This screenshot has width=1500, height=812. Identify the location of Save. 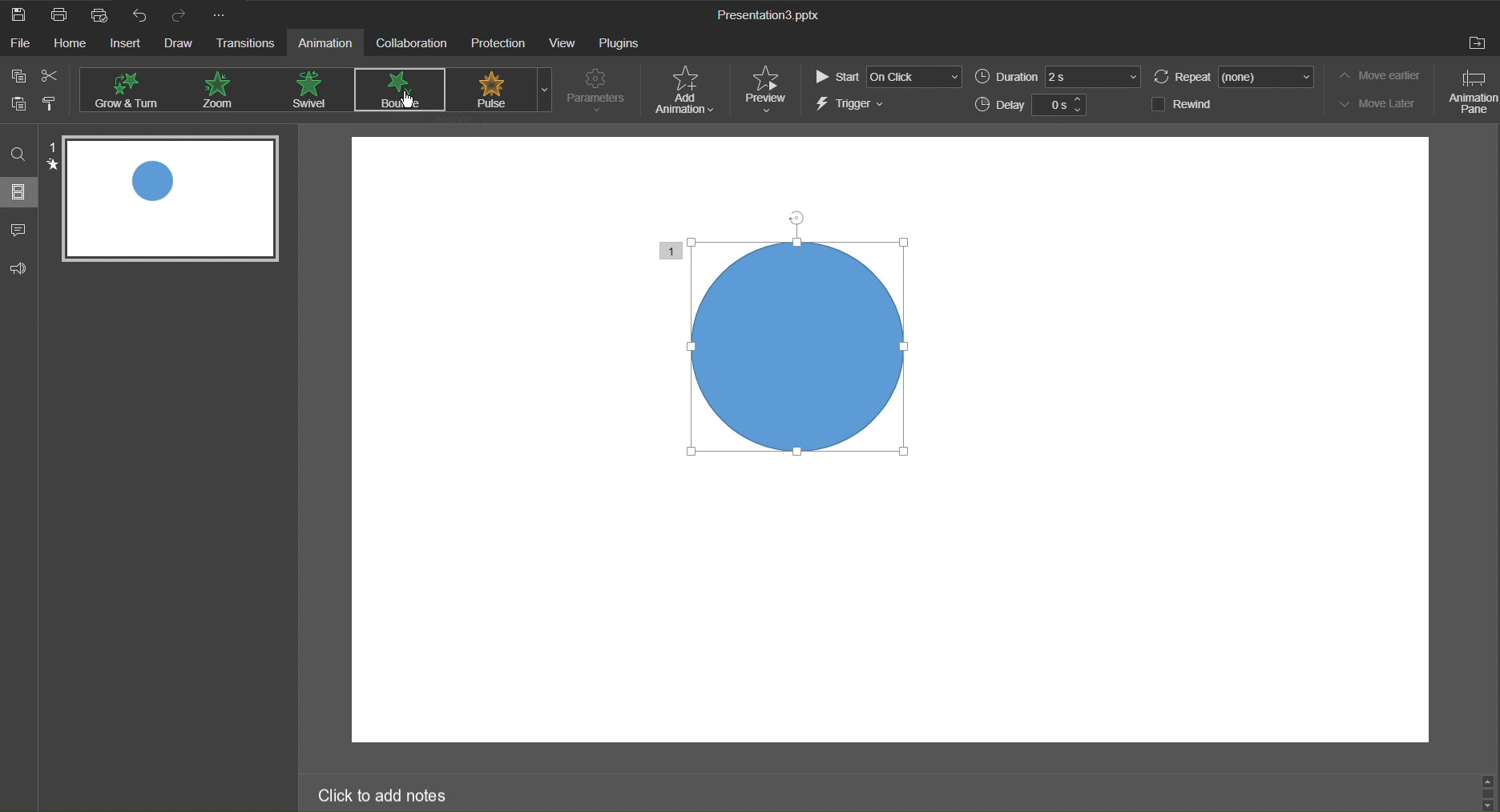
(20, 14).